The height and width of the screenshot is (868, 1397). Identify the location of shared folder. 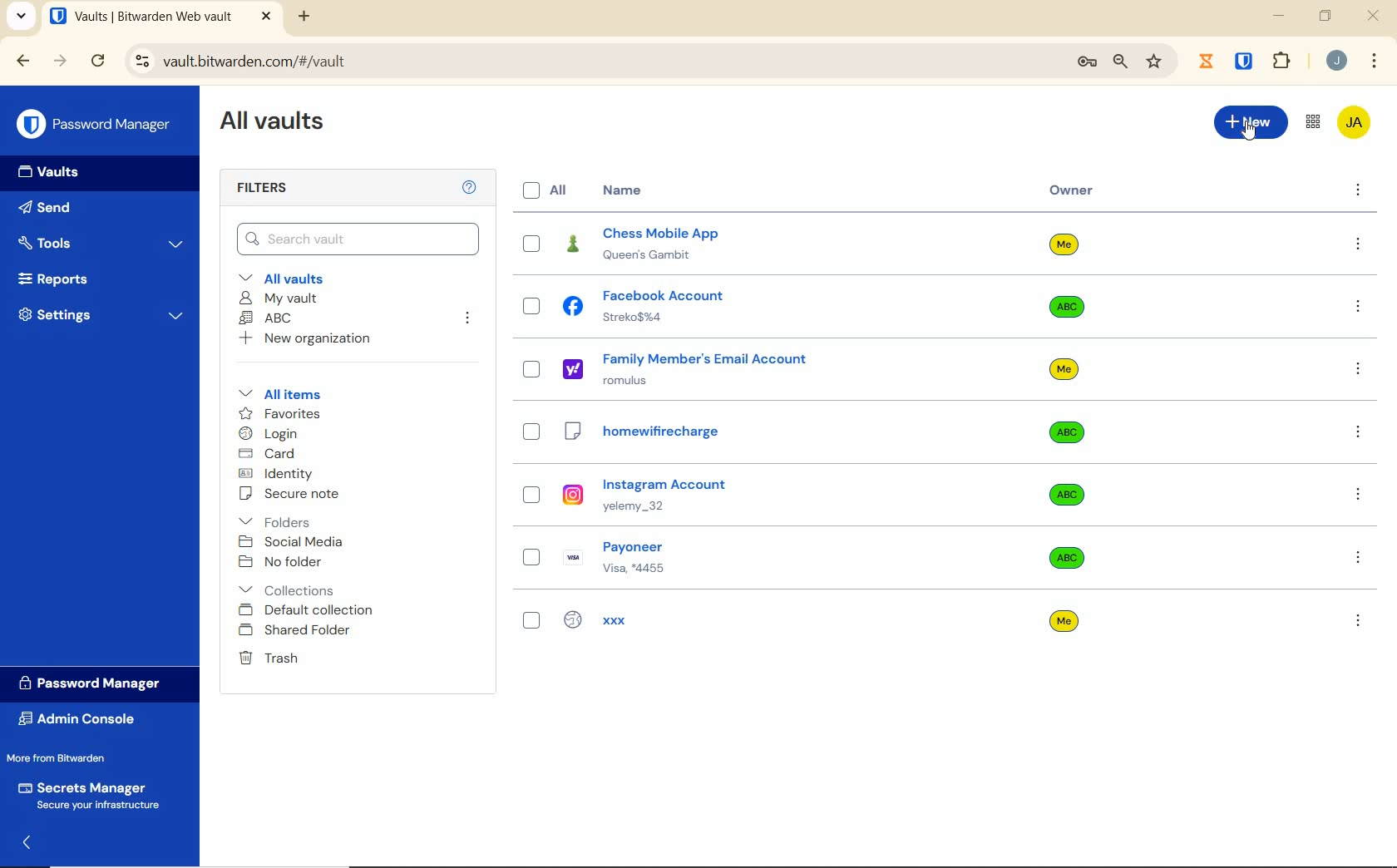
(297, 631).